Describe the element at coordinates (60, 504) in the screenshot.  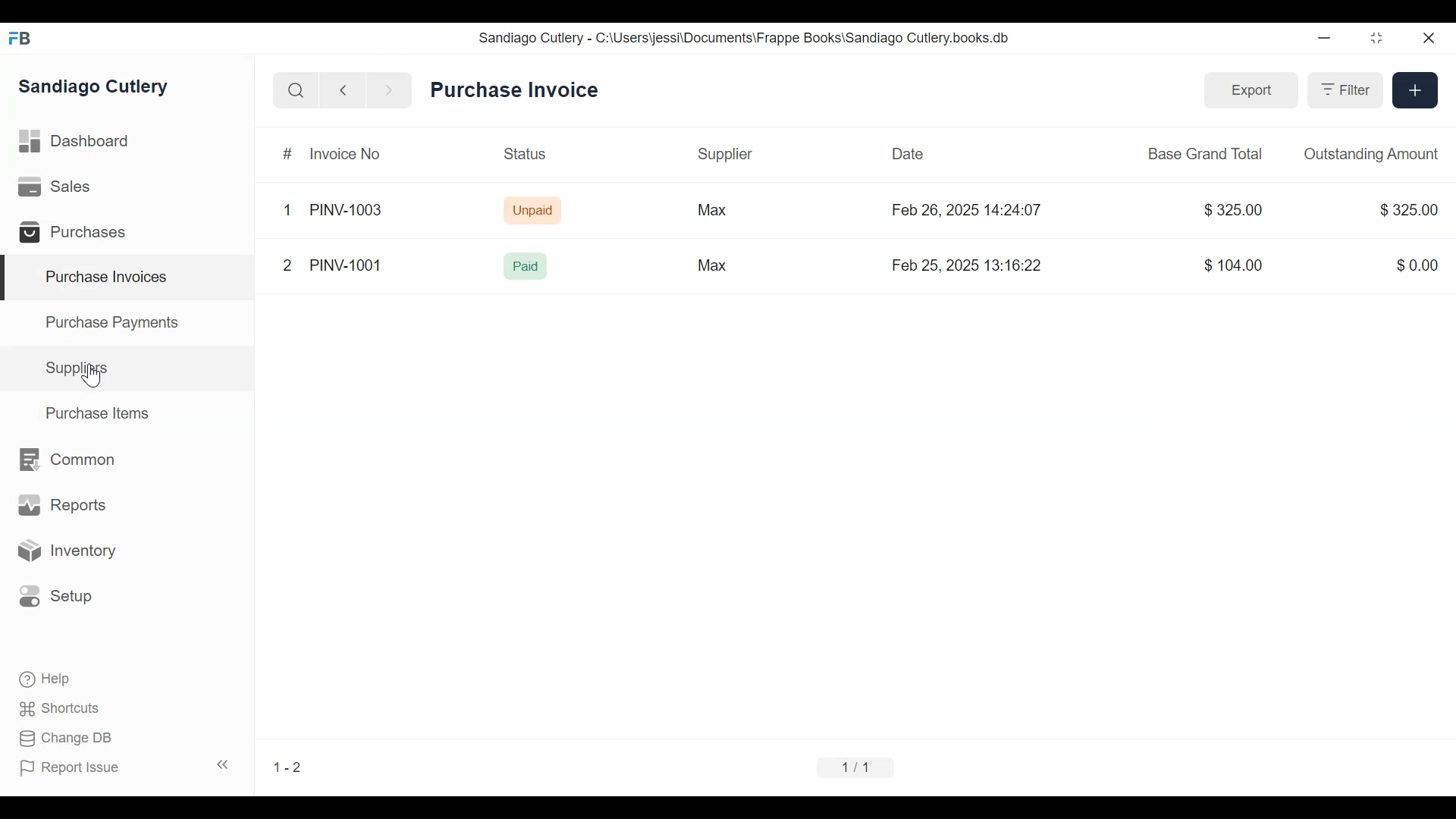
I see `Reports` at that location.